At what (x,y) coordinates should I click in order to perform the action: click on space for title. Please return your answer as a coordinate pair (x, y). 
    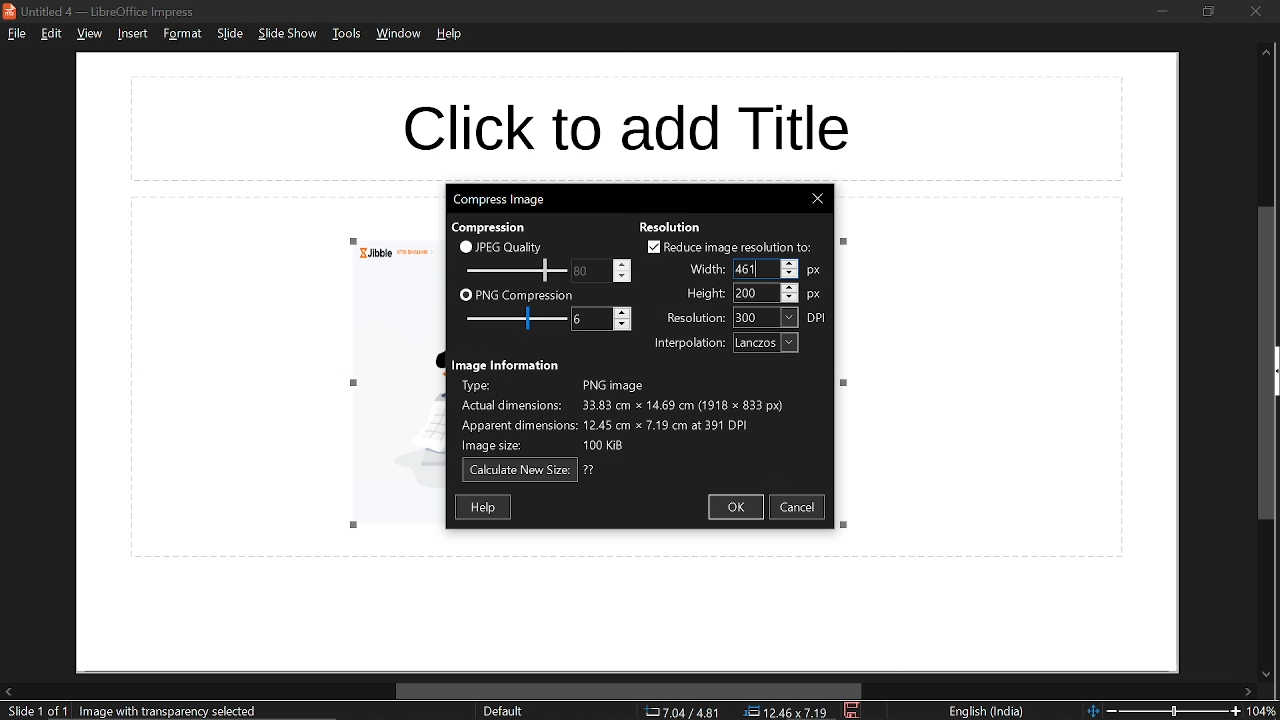
    Looking at the image, I should click on (646, 122).